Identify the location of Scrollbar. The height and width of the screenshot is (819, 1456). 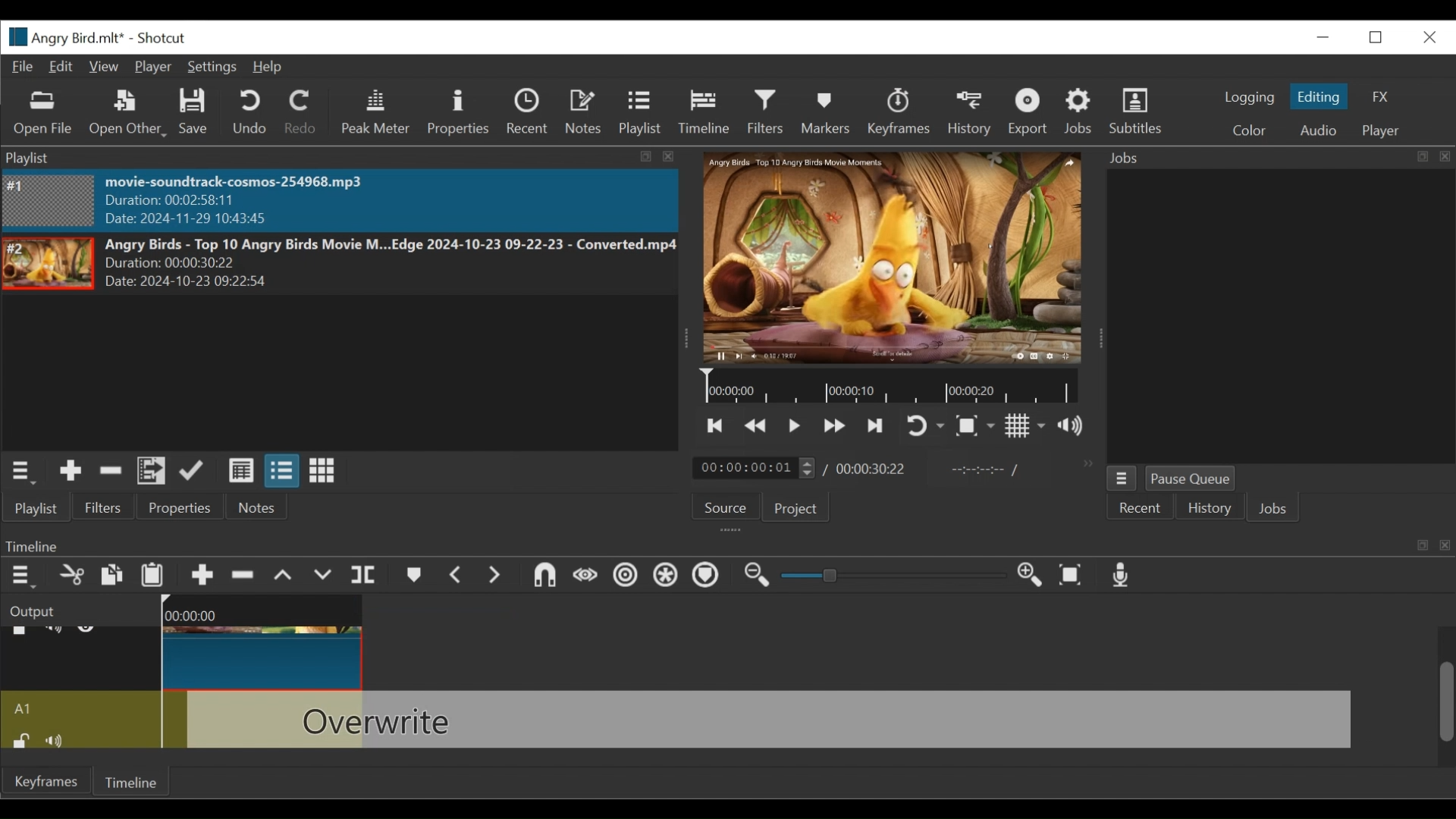
(1446, 686).